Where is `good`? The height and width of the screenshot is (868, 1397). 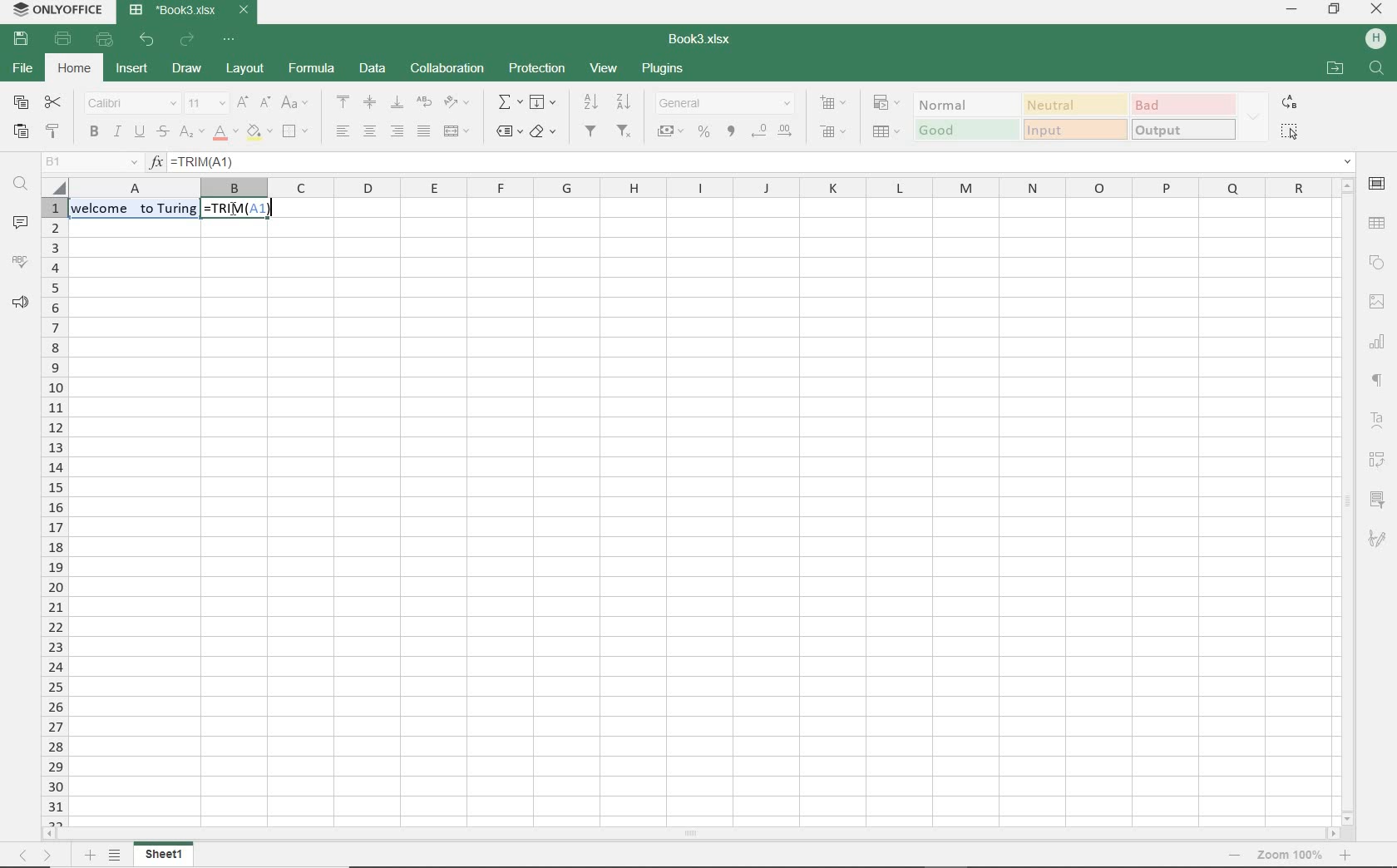 good is located at coordinates (965, 131).